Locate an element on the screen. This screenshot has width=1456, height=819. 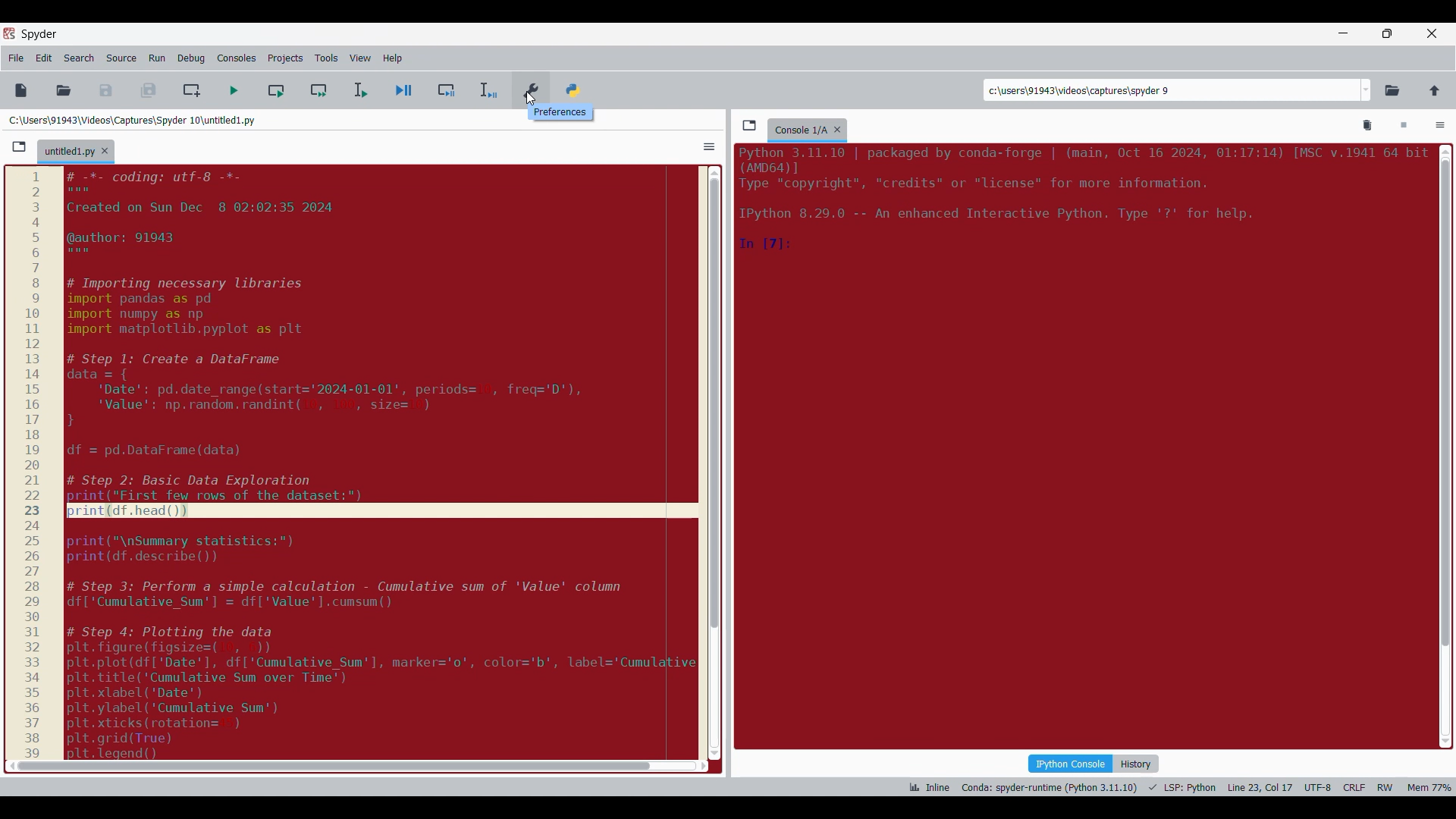
Help menu is located at coordinates (392, 58).